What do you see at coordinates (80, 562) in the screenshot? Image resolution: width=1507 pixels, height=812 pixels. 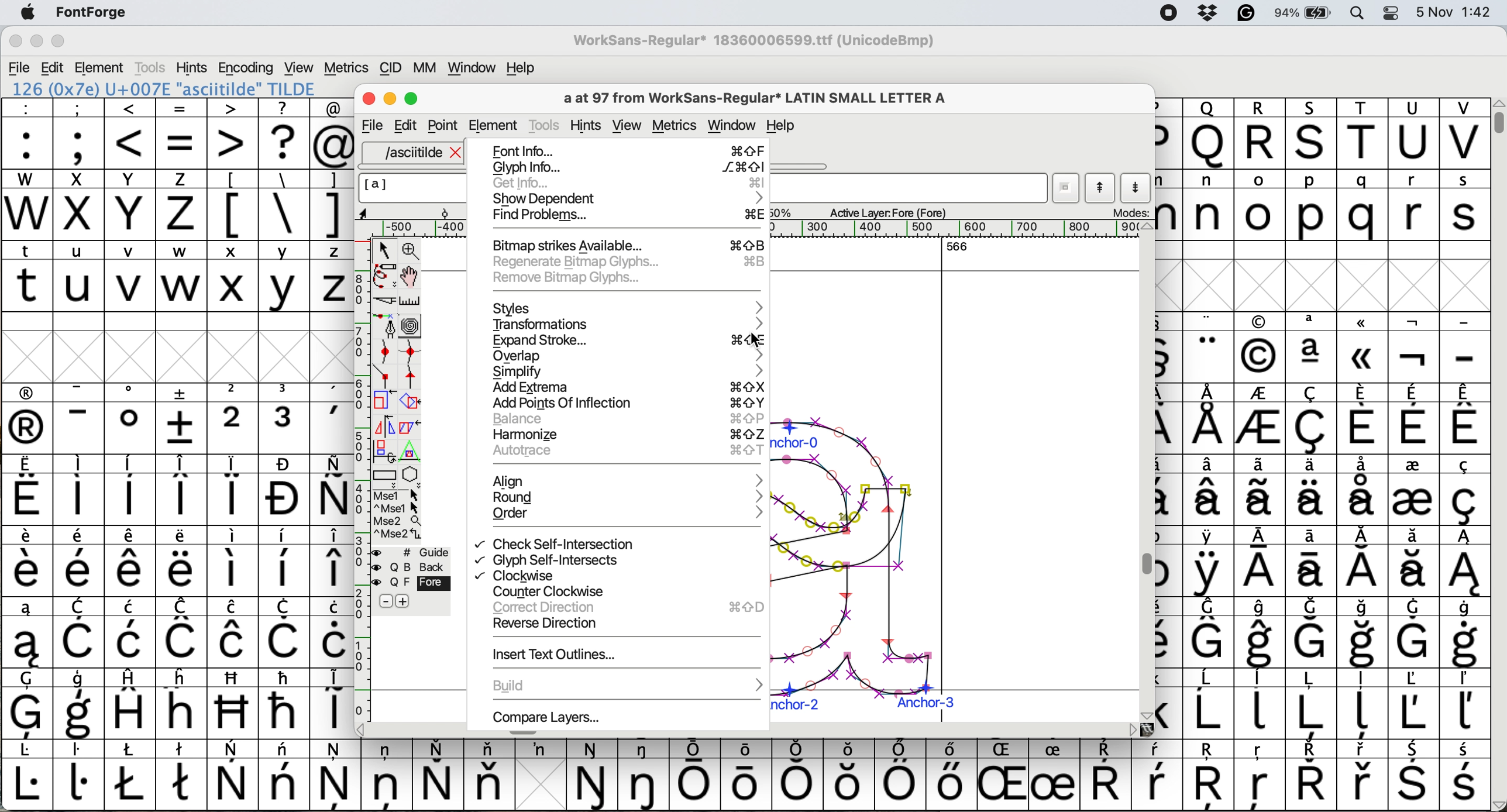 I see `symbol` at bounding box center [80, 562].